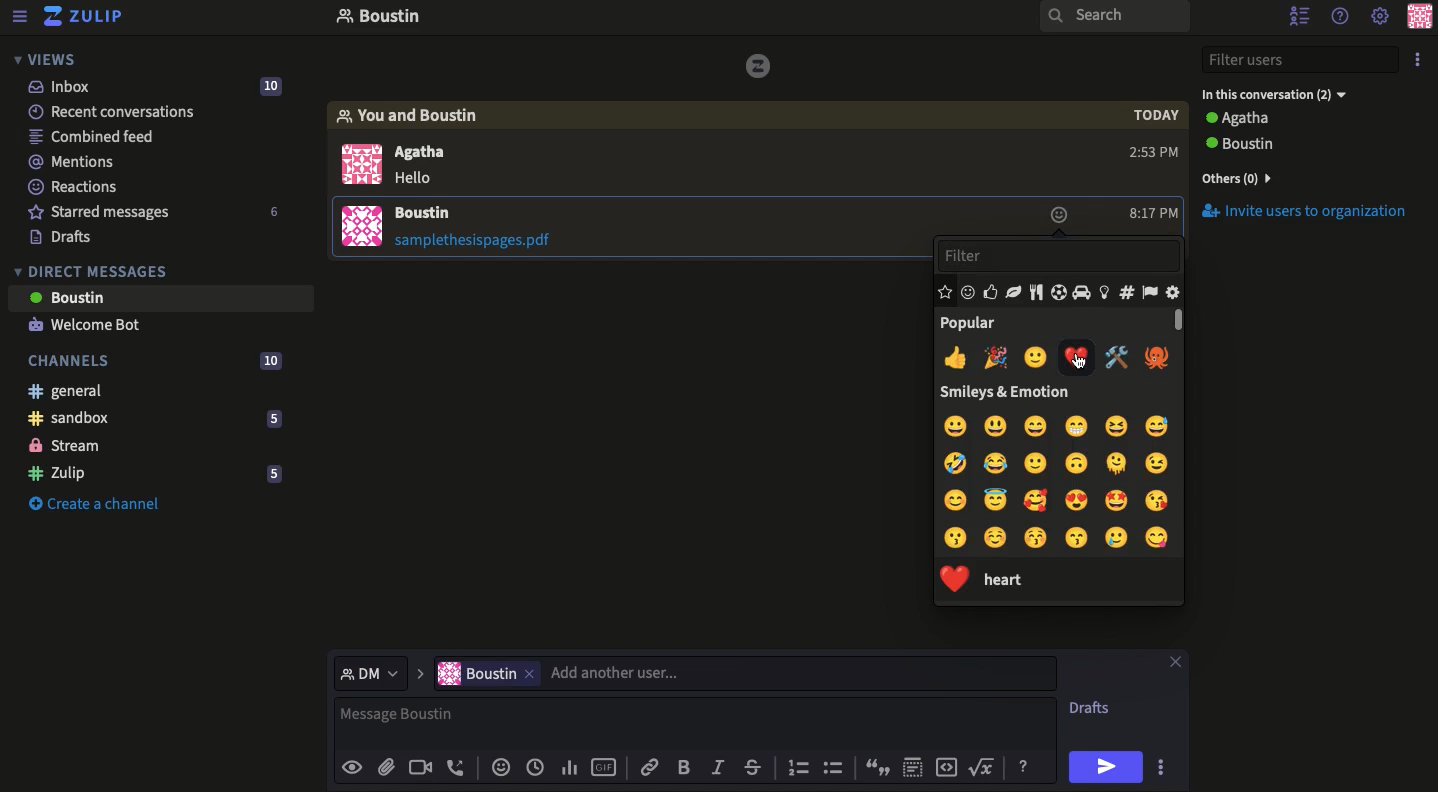 This screenshot has width=1438, height=792. I want to click on big smile, so click(1037, 427).